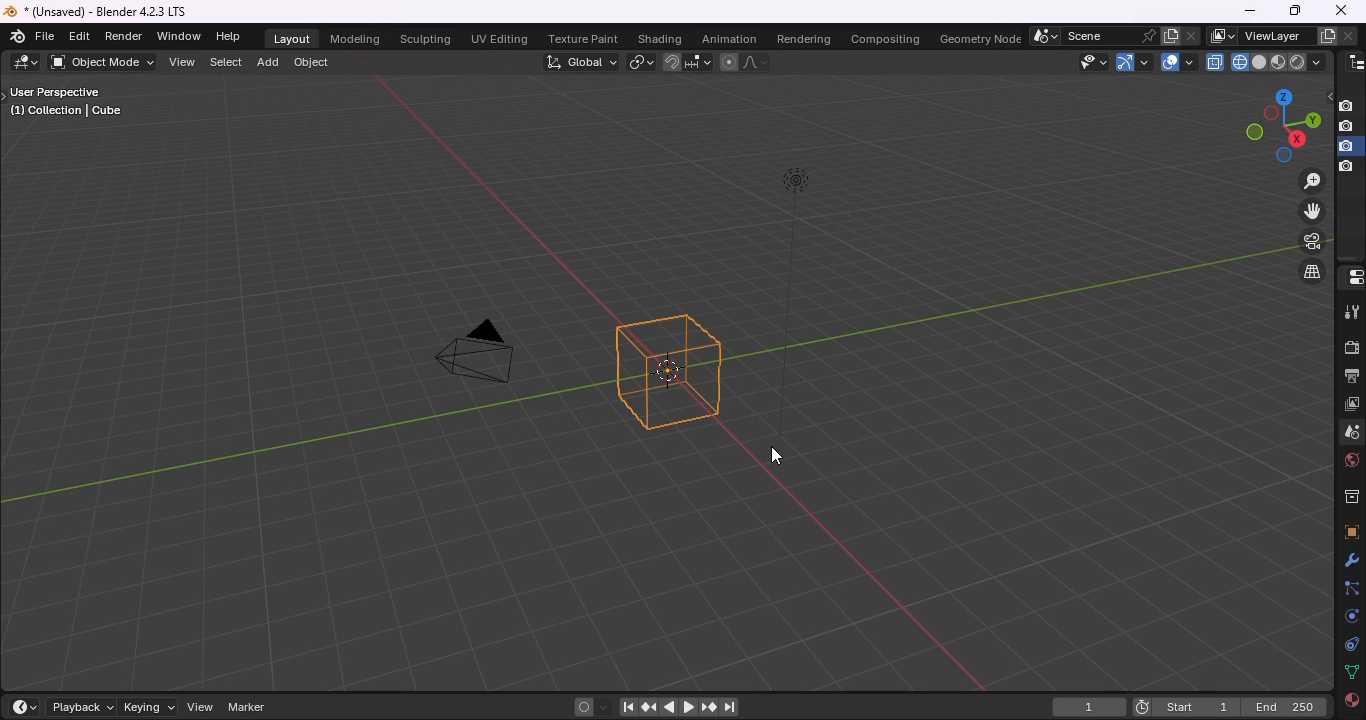  Describe the element at coordinates (649, 708) in the screenshot. I see `previous` at that location.